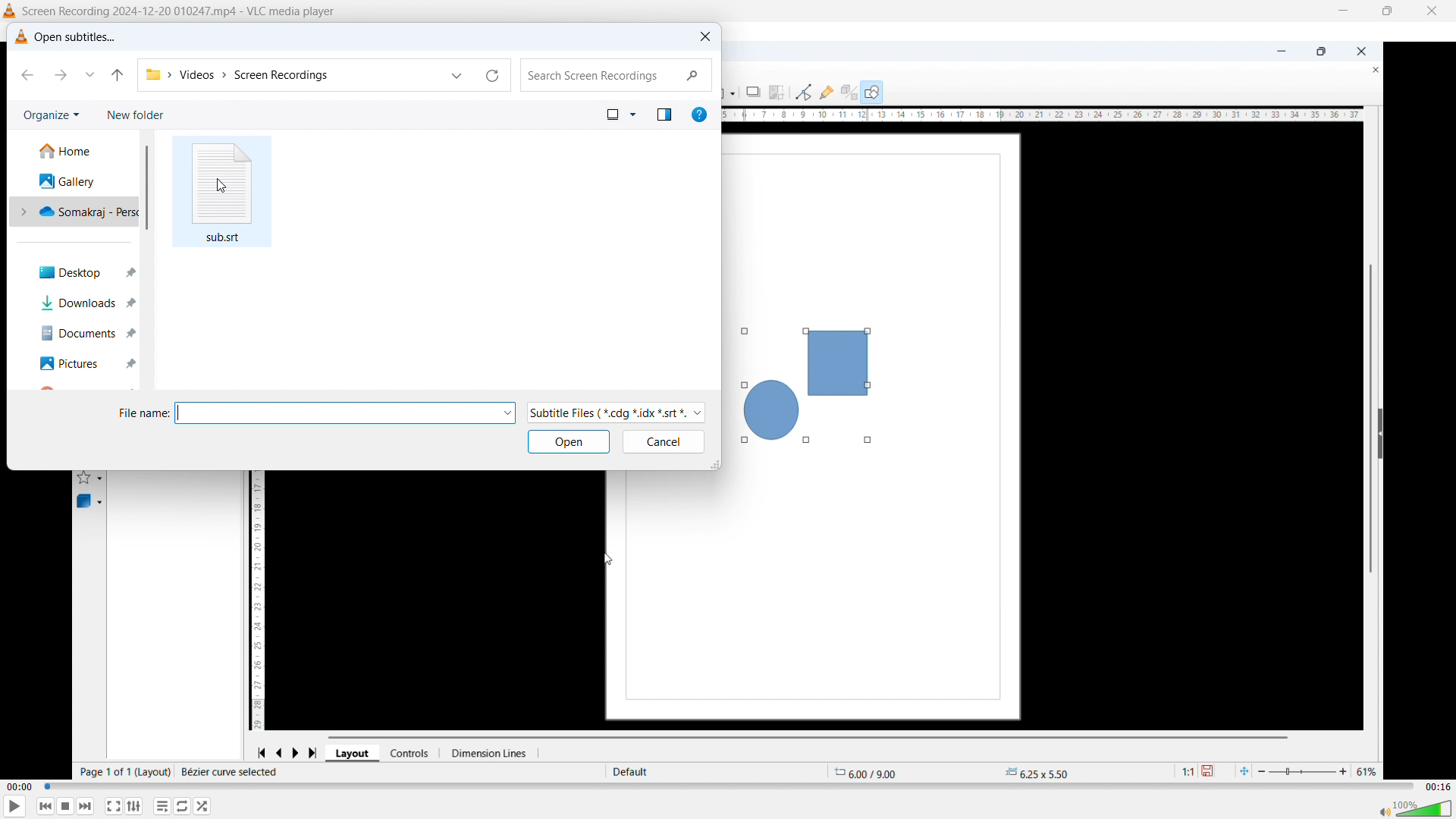  What do you see at coordinates (199, 73) in the screenshot?
I see `videos` at bounding box center [199, 73].